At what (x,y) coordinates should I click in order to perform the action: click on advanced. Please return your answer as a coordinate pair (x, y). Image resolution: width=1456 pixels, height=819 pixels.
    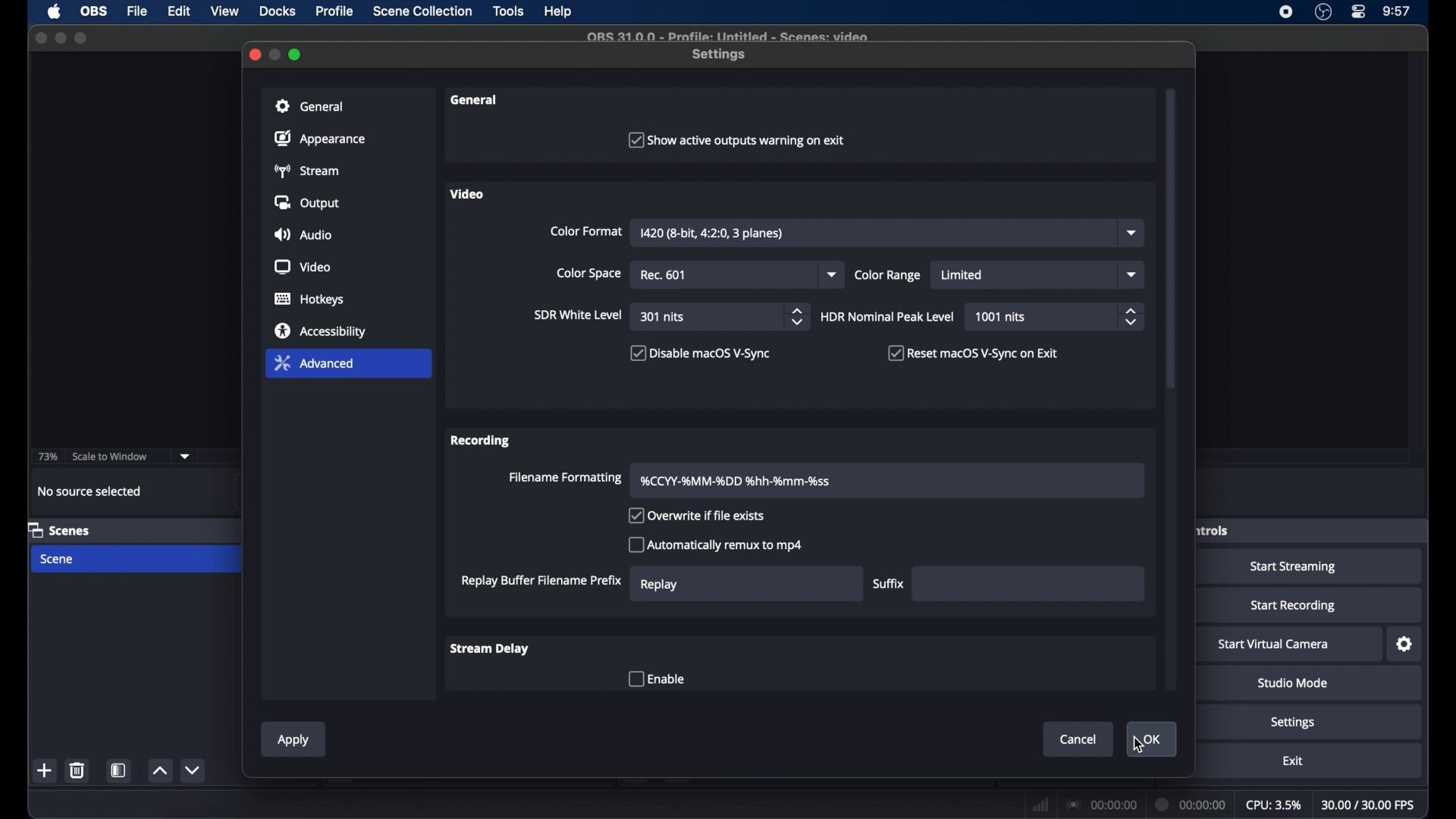
    Looking at the image, I should click on (313, 362).